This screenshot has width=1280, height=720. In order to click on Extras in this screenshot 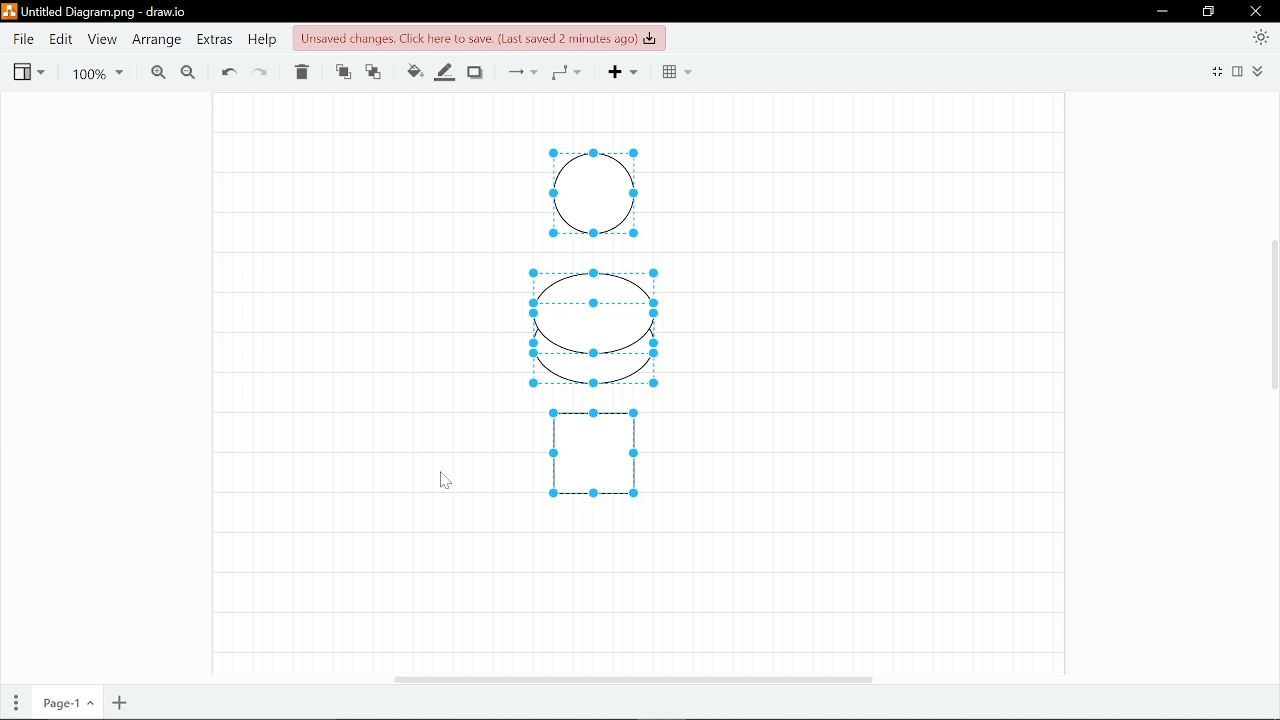, I will do `click(213, 40)`.